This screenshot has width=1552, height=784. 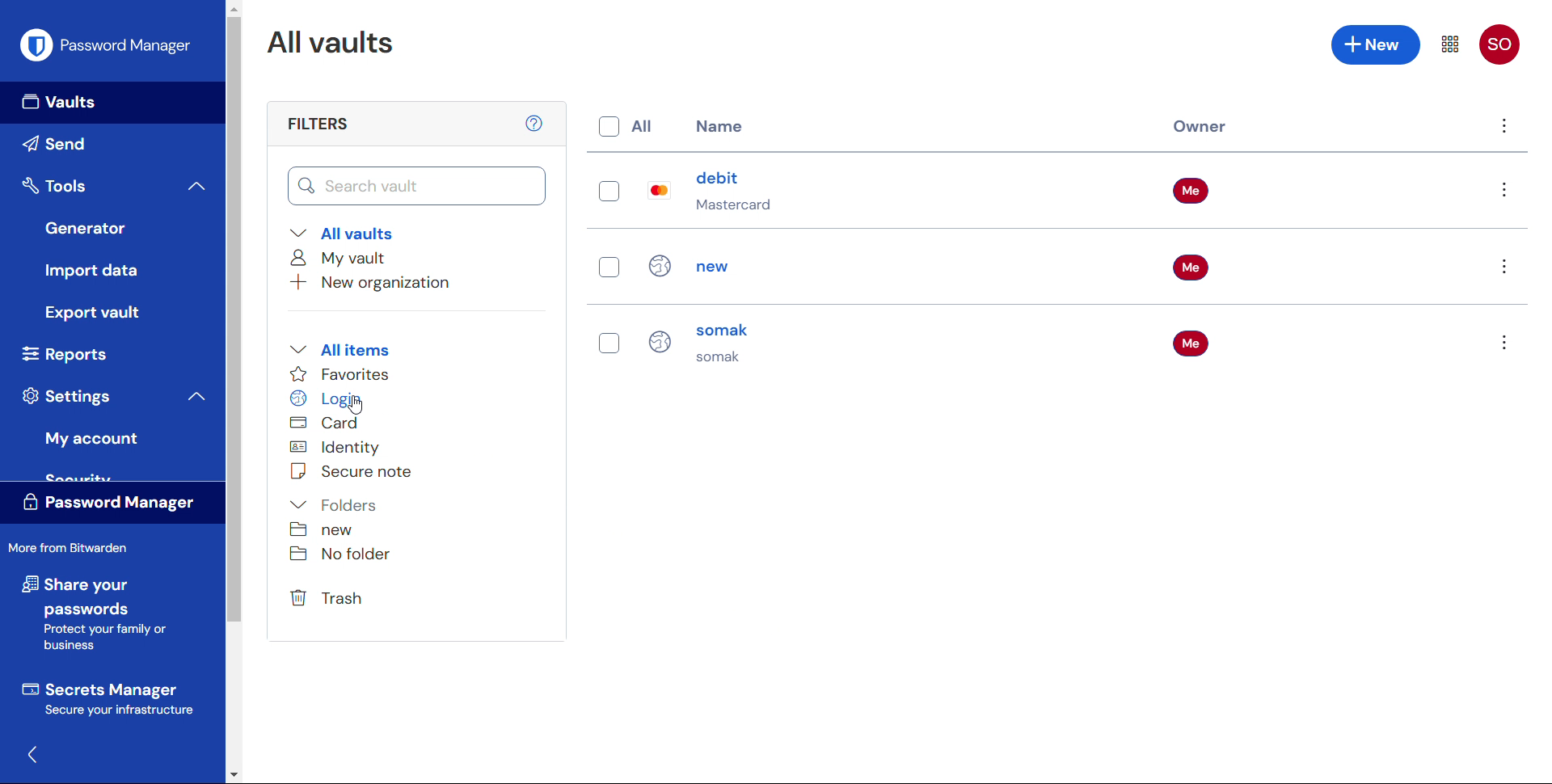 What do you see at coordinates (660, 344) in the screenshot?
I see `Login` at bounding box center [660, 344].